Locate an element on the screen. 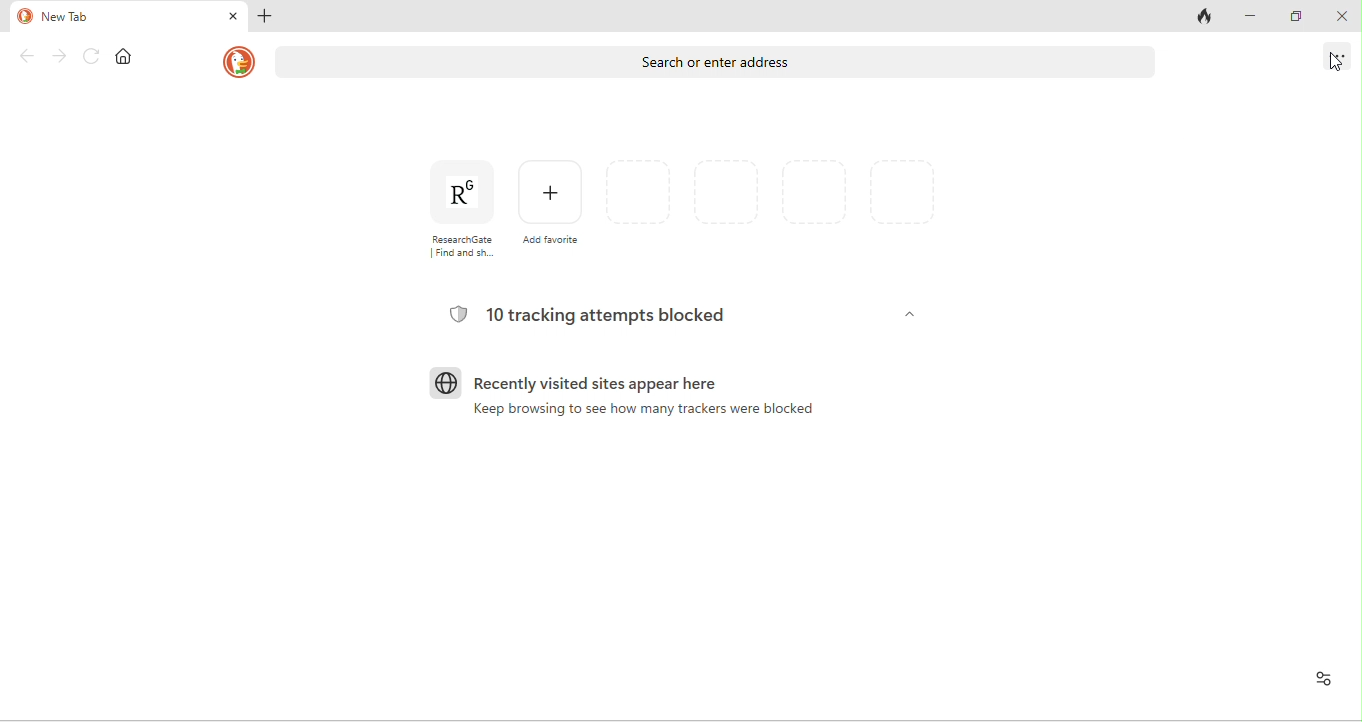 The width and height of the screenshot is (1362, 722). close is located at coordinates (231, 16).